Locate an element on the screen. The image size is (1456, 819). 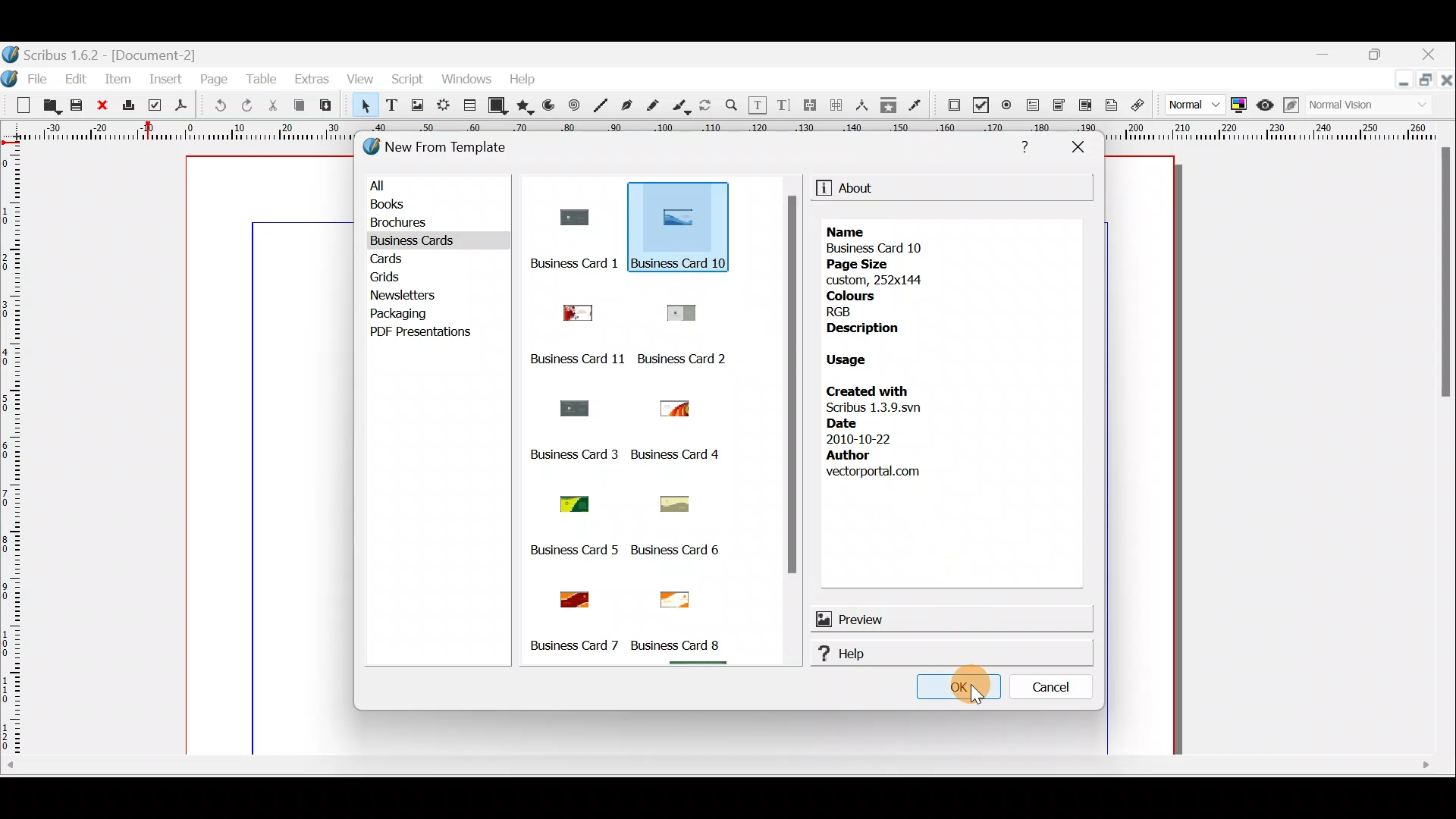
PDF presentations is located at coordinates (433, 334).